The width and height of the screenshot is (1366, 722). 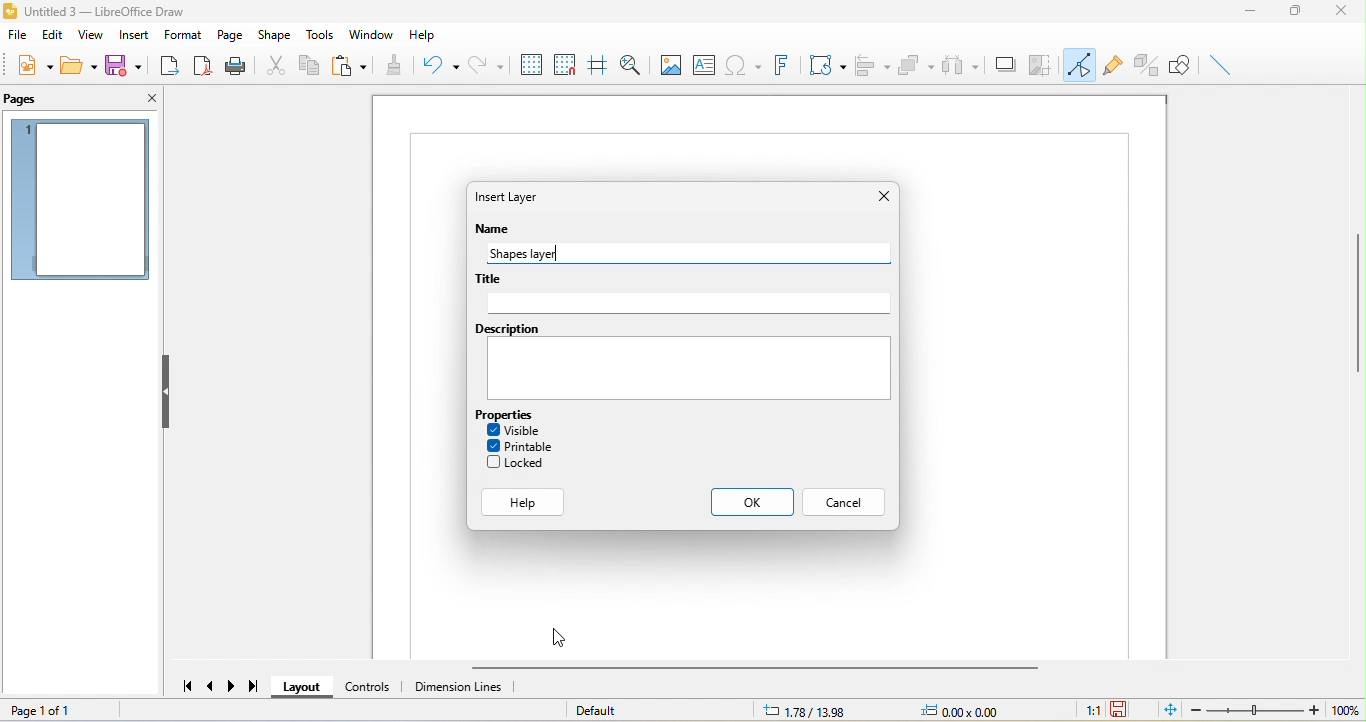 I want to click on select at least three object to distribute, so click(x=961, y=64).